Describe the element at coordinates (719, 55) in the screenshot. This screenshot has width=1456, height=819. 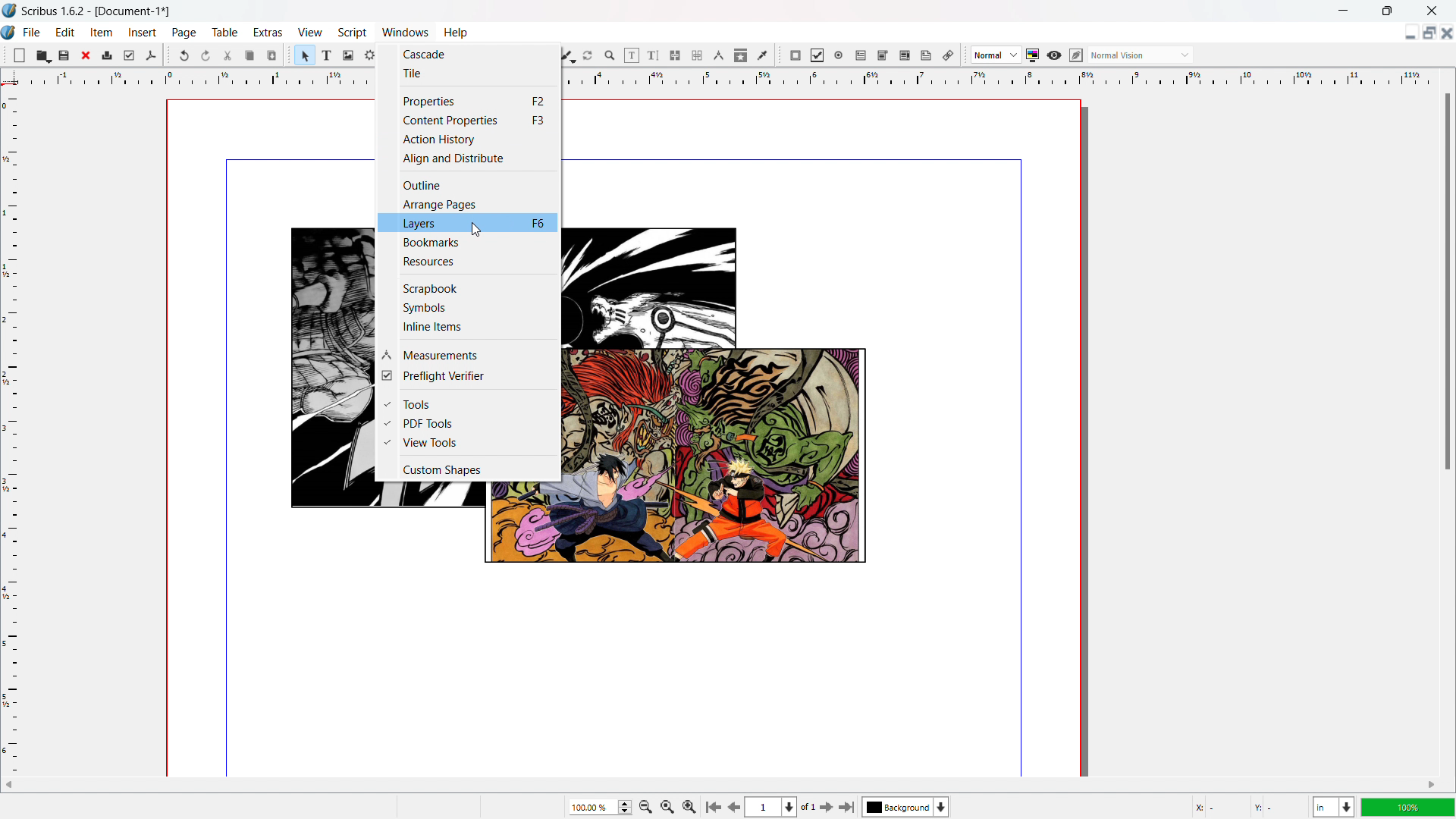
I see `measurements` at that location.